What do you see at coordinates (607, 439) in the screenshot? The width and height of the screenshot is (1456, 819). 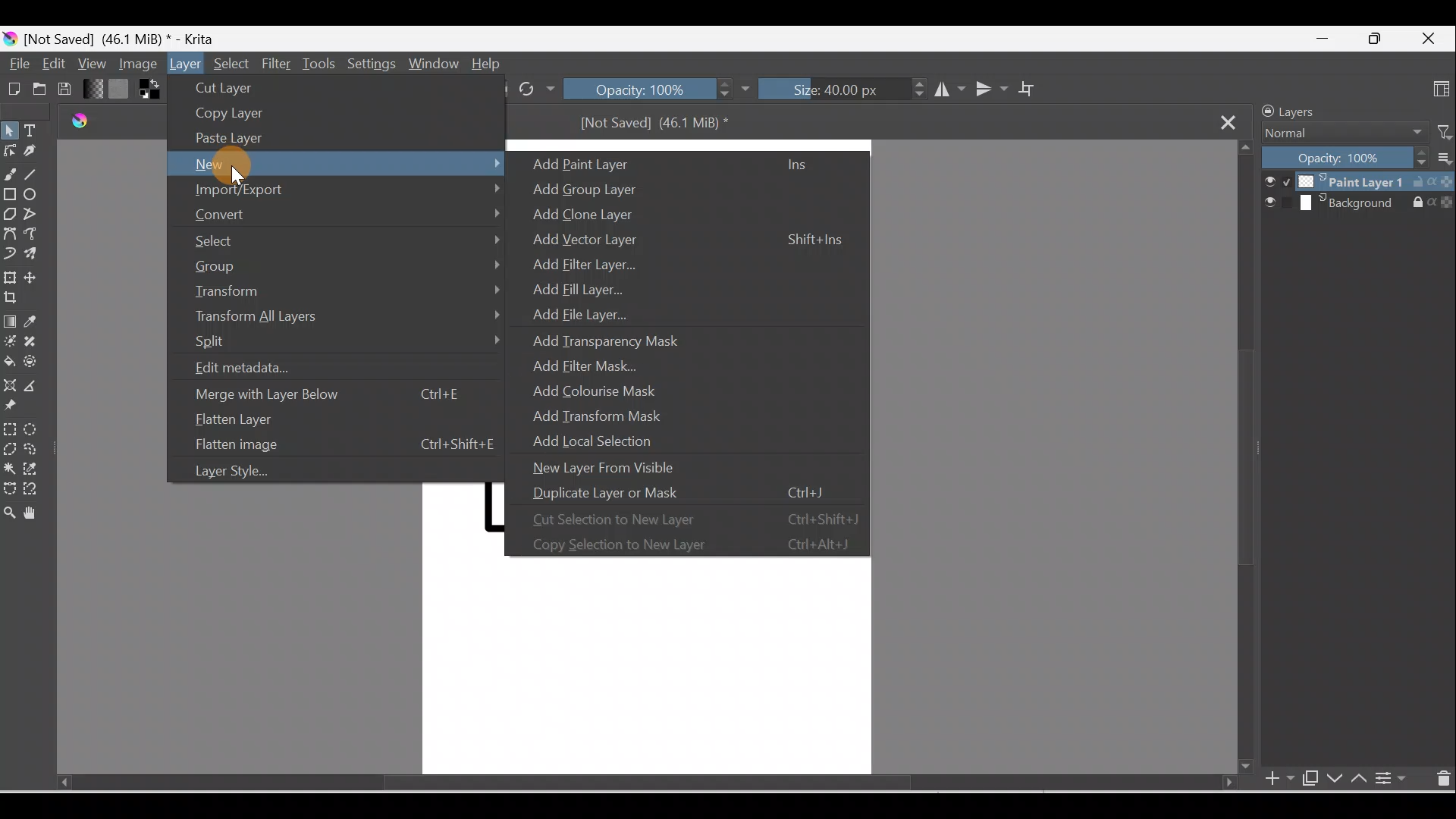 I see `Add local selection` at bounding box center [607, 439].